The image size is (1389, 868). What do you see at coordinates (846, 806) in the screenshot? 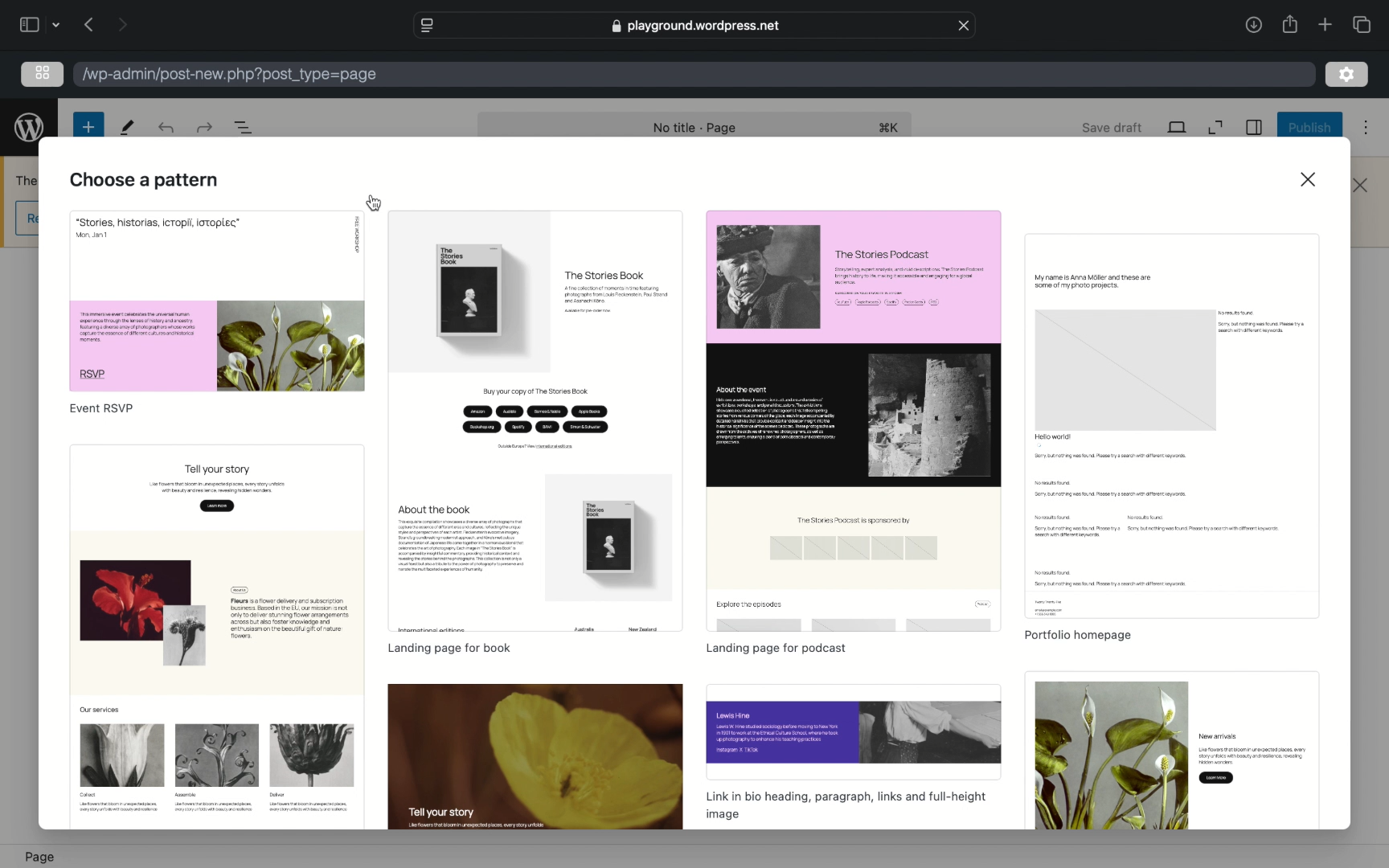
I see `link in bio, heading, links and full-heigh display` at bounding box center [846, 806].